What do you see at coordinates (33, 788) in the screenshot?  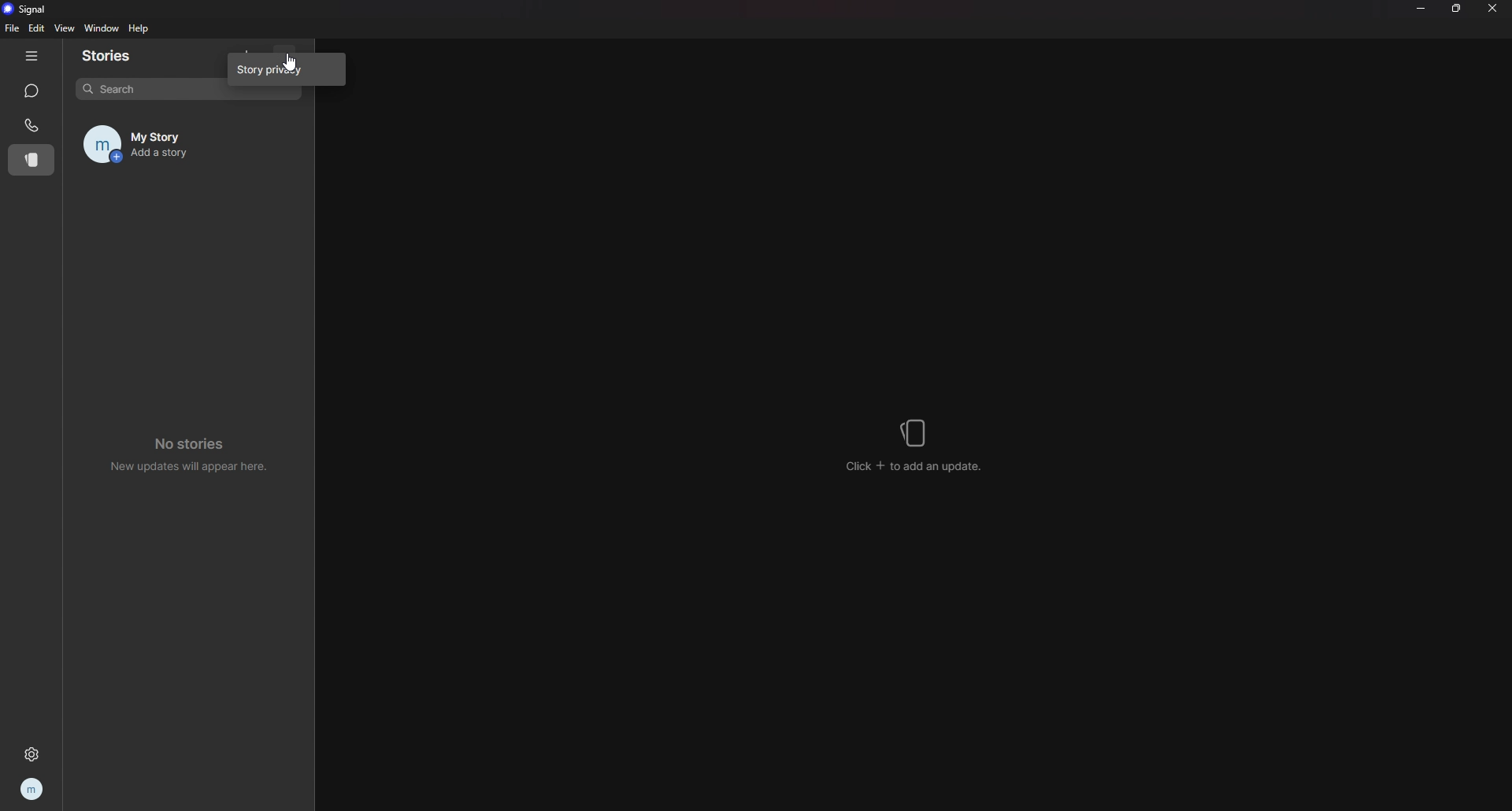 I see `profile` at bounding box center [33, 788].